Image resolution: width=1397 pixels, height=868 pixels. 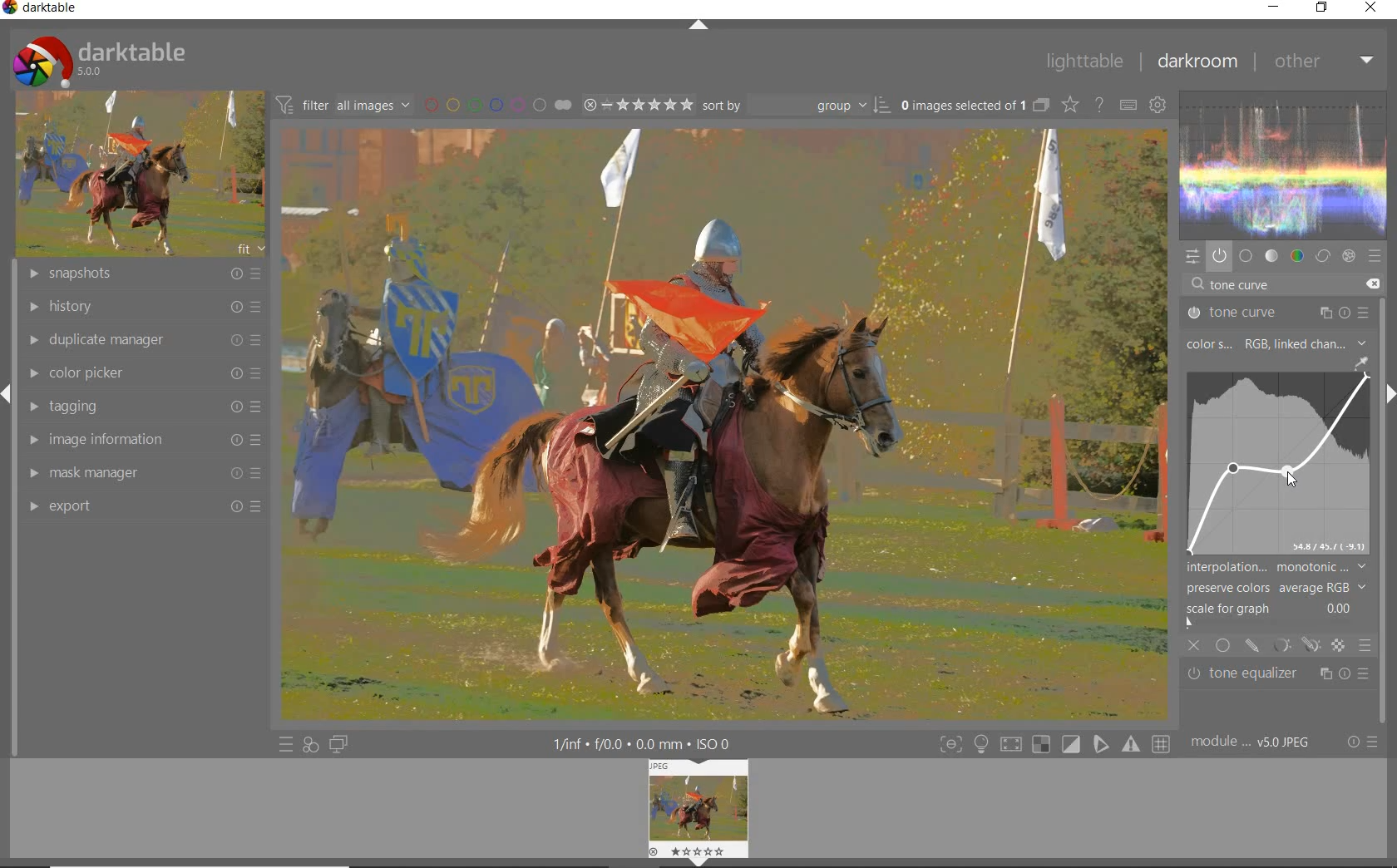 What do you see at coordinates (1195, 647) in the screenshot?
I see `close` at bounding box center [1195, 647].